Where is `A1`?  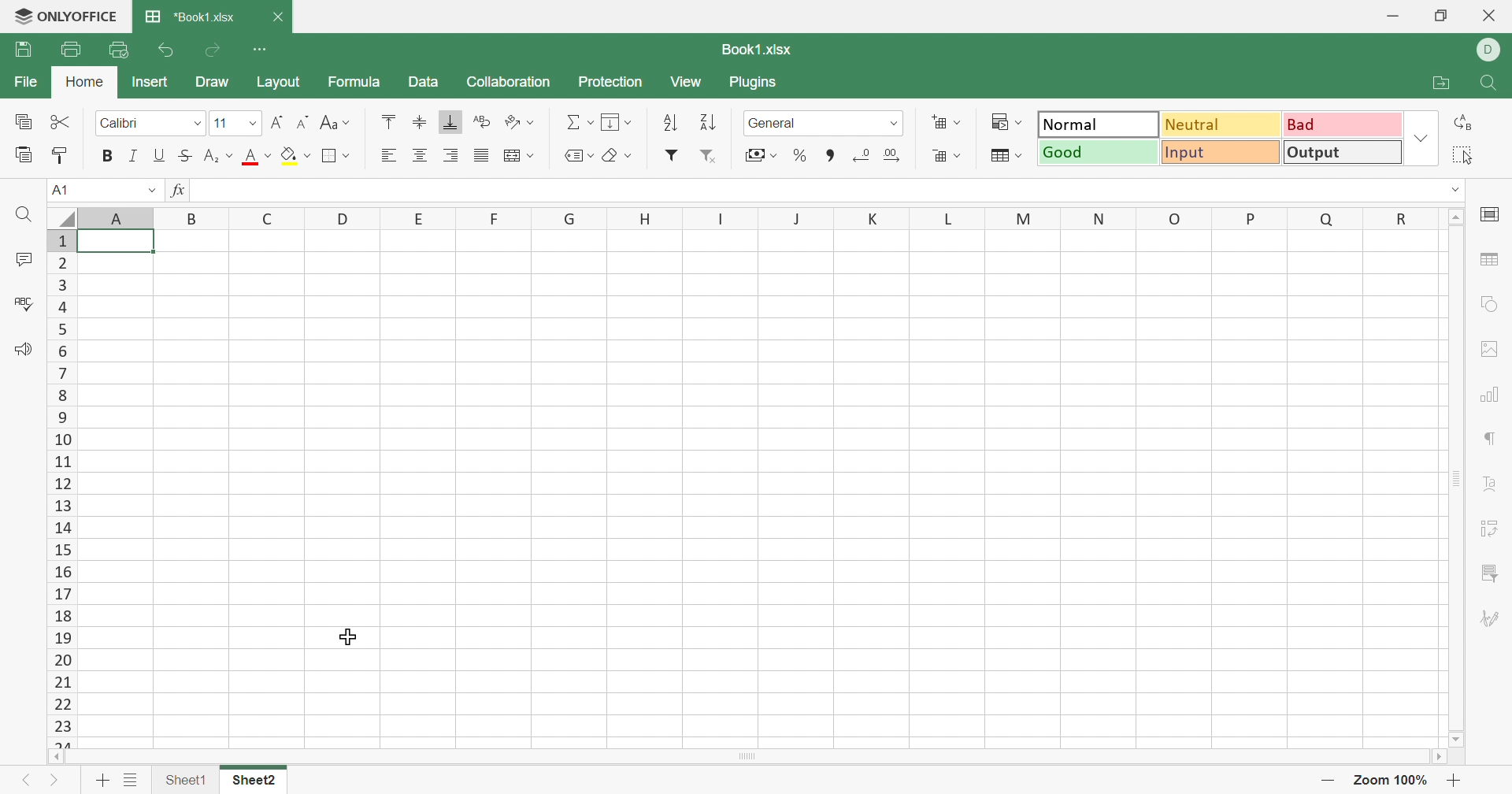
A1 is located at coordinates (60, 191).